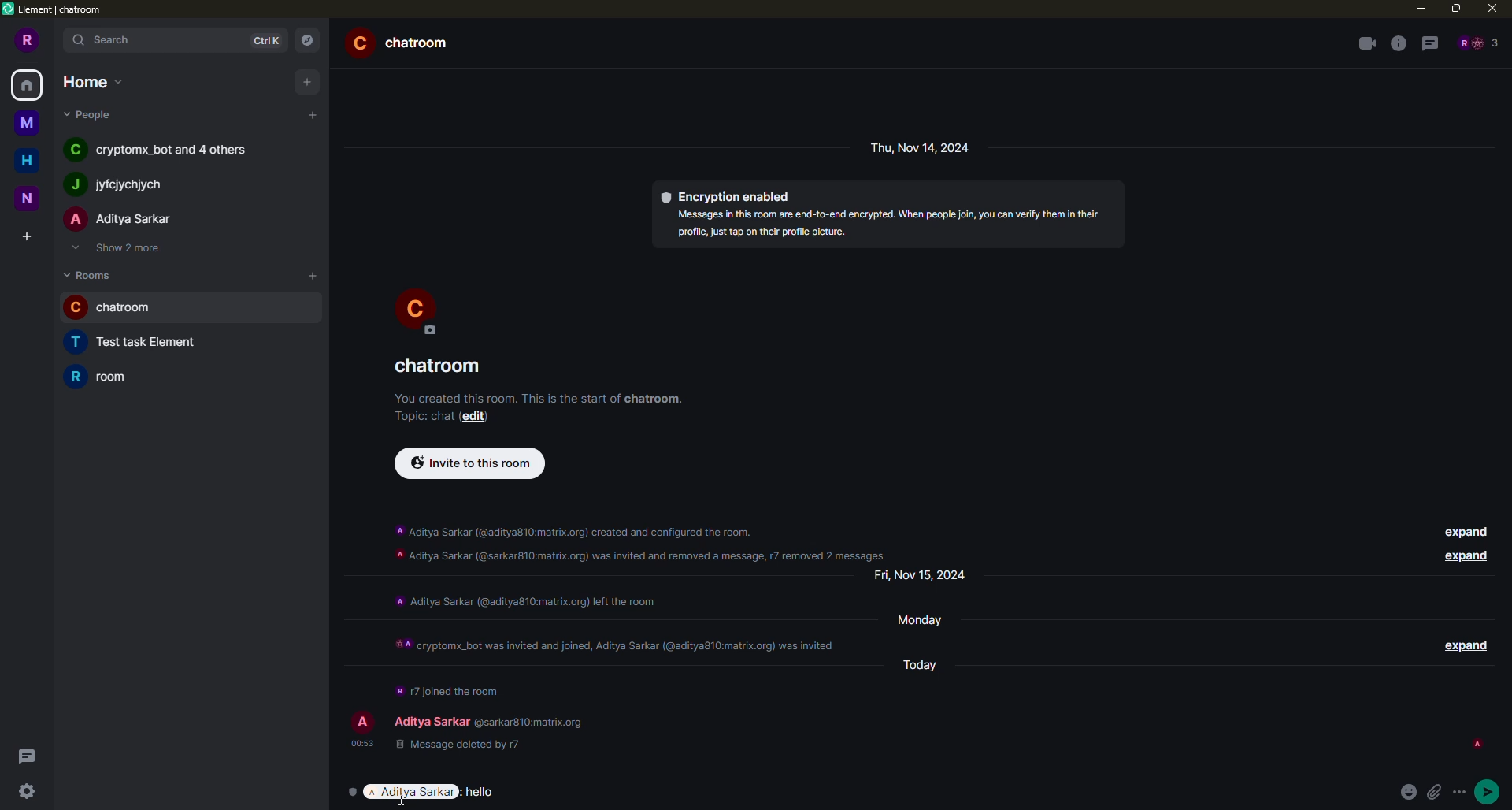 This screenshot has width=1512, height=810. What do you see at coordinates (164, 151) in the screenshot?
I see `people` at bounding box center [164, 151].